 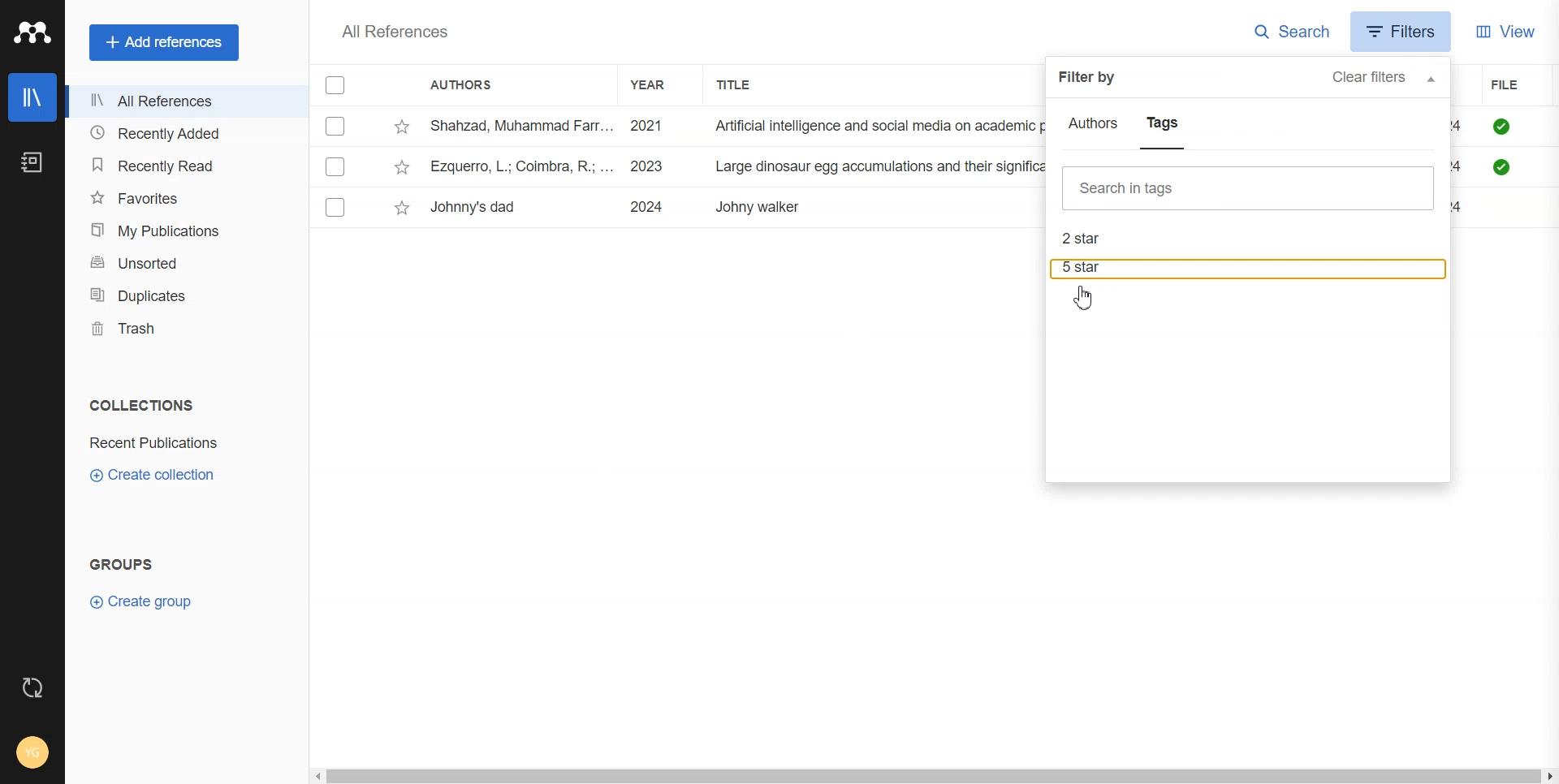 What do you see at coordinates (164, 42) in the screenshot?
I see `Add references` at bounding box center [164, 42].